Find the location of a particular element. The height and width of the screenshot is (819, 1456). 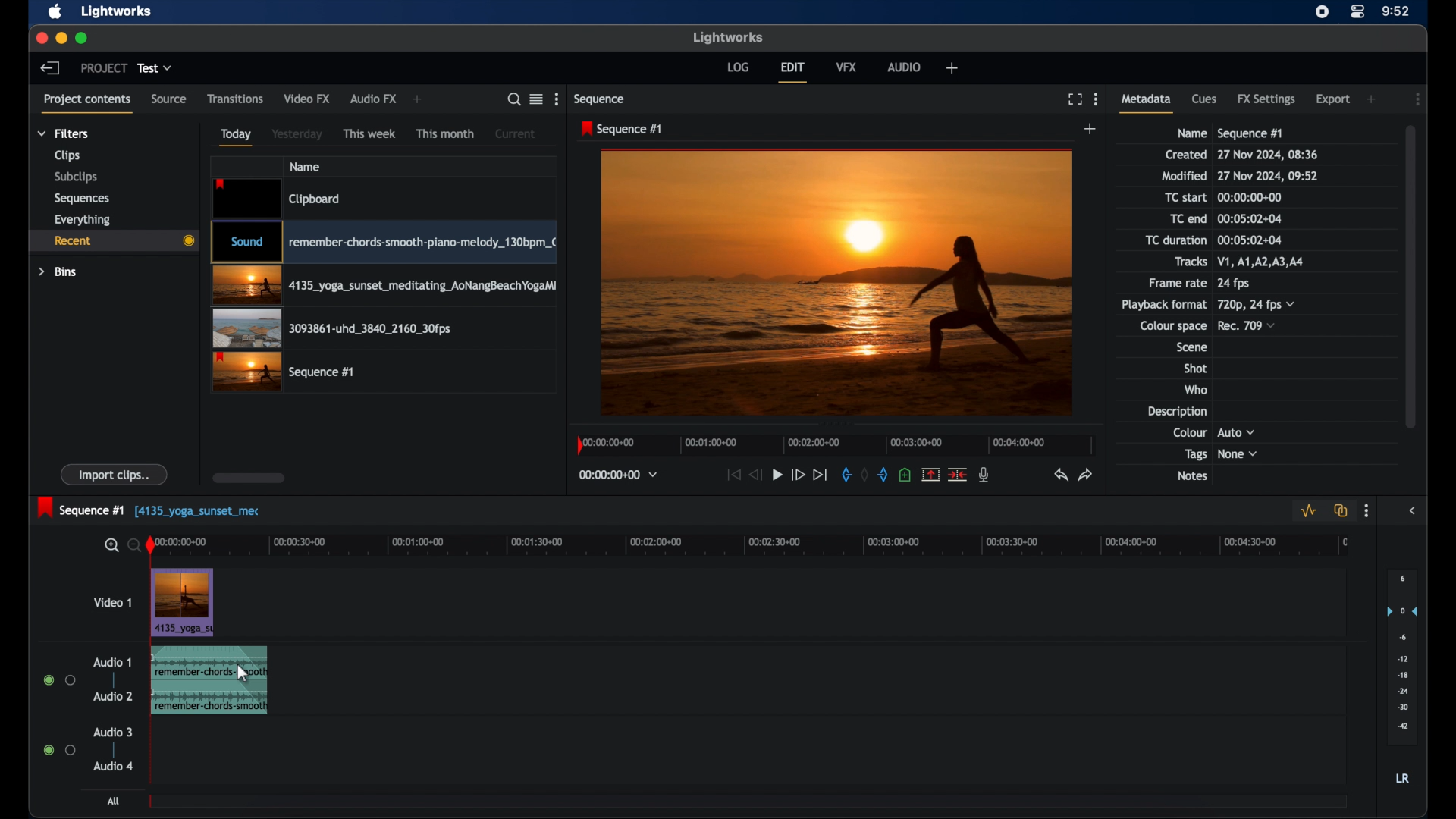

colour space is located at coordinates (1173, 326).